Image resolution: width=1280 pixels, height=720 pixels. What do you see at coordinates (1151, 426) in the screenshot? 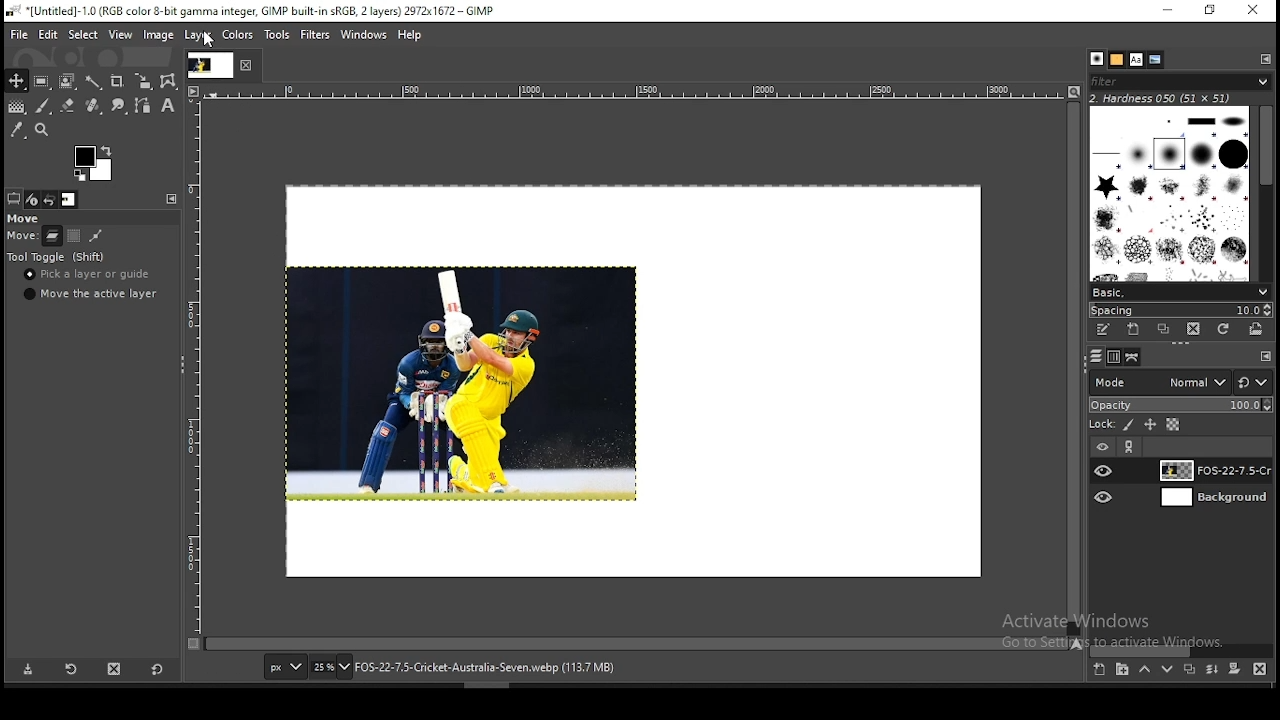
I see `lock size and position` at bounding box center [1151, 426].